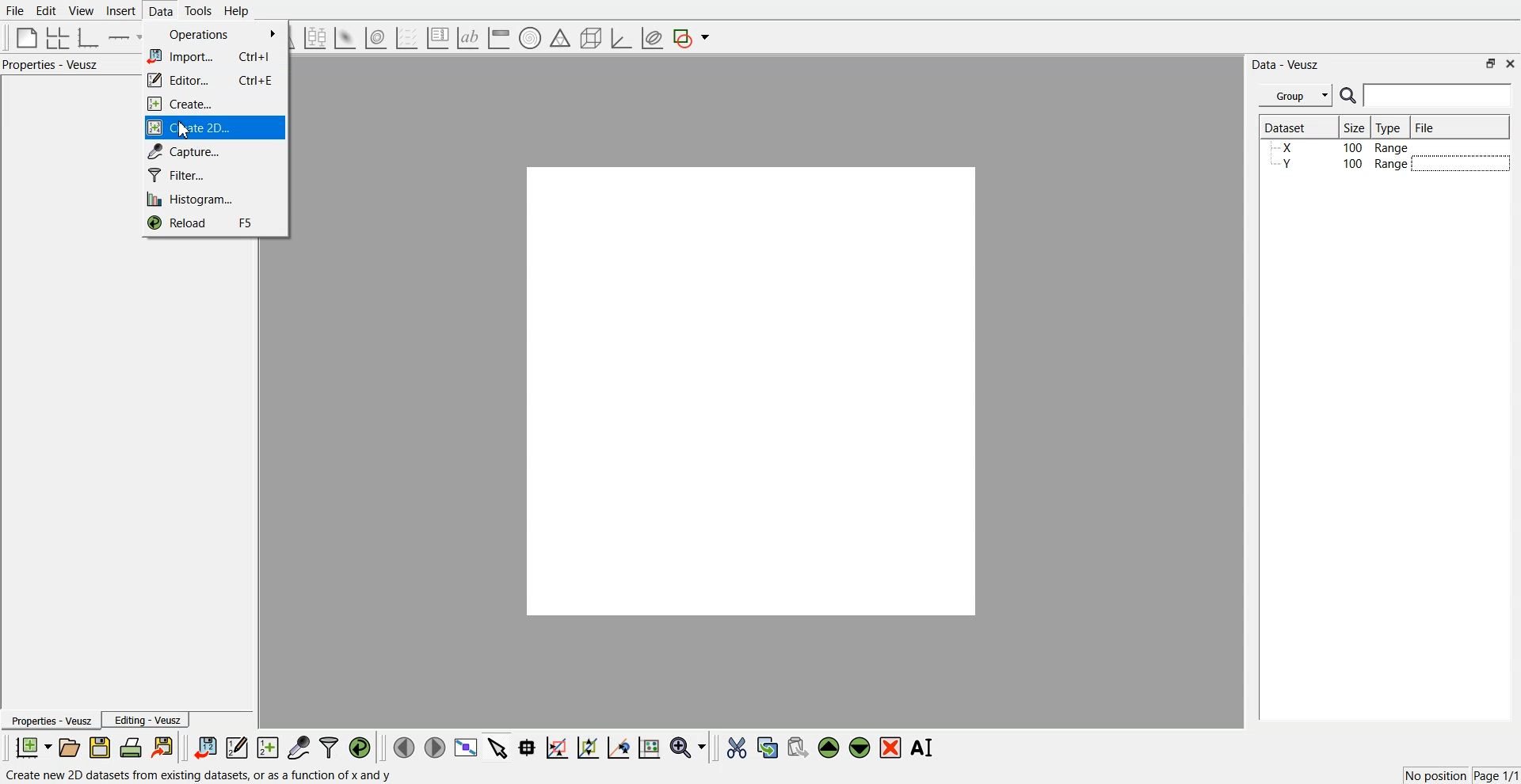 This screenshot has width=1521, height=784. Describe the element at coordinates (1341, 164) in the screenshot. I see `Y 100 Range` at that location.